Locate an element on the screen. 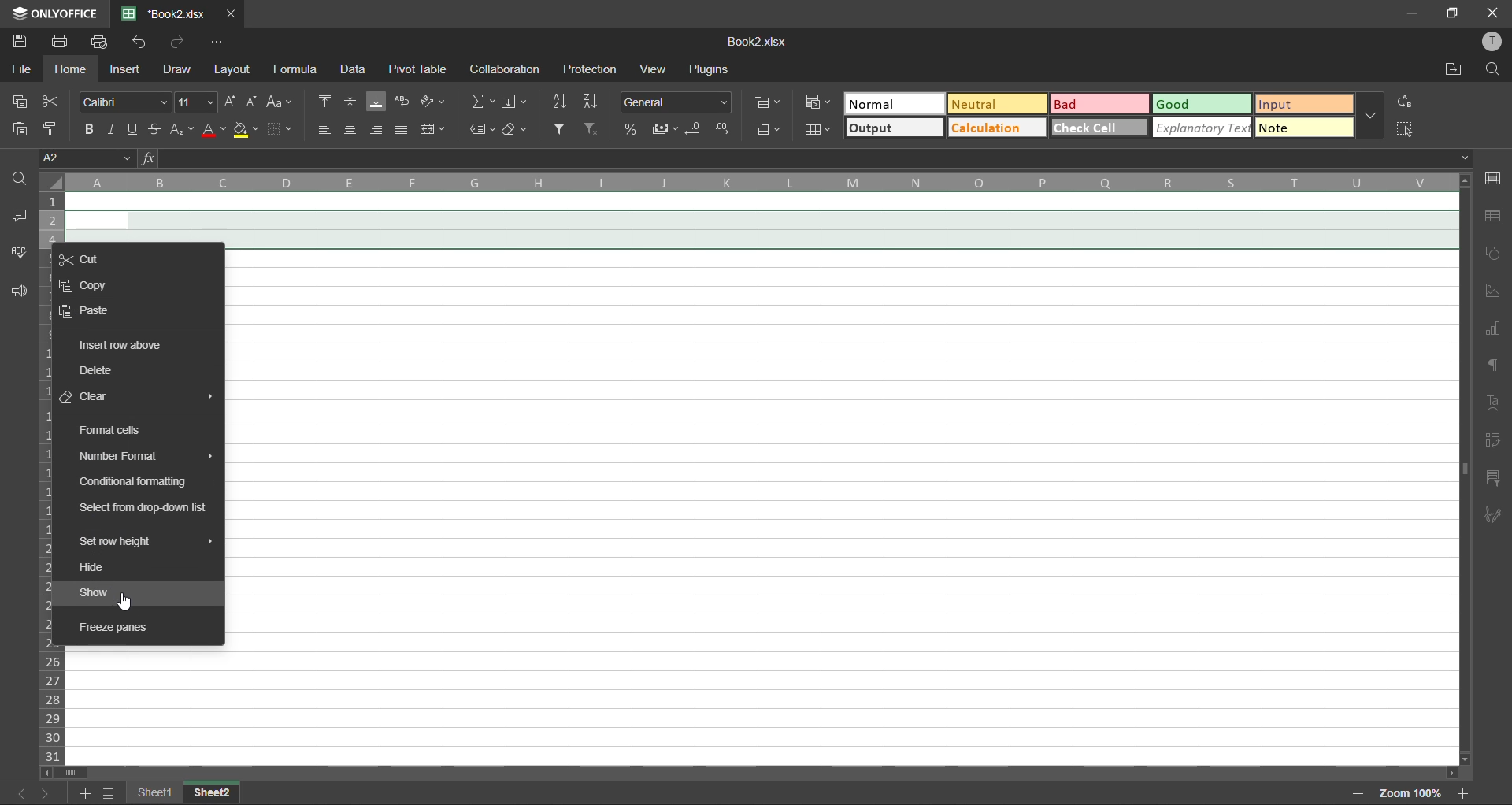 The height and width of the screenshot is (805, 1512). neutral is located at coordinates (996, 105).